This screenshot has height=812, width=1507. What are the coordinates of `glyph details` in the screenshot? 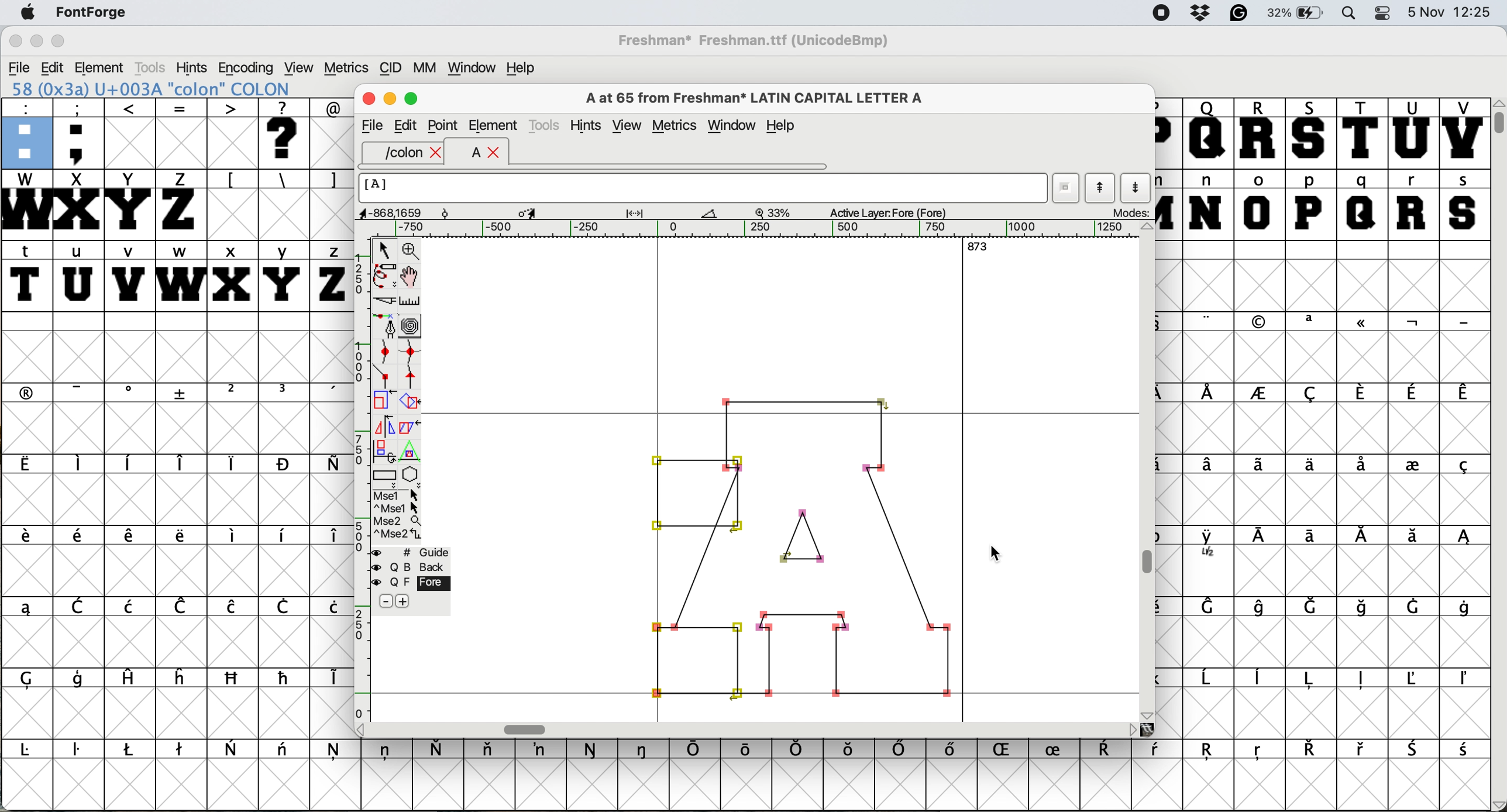 It's located at (659, 214).